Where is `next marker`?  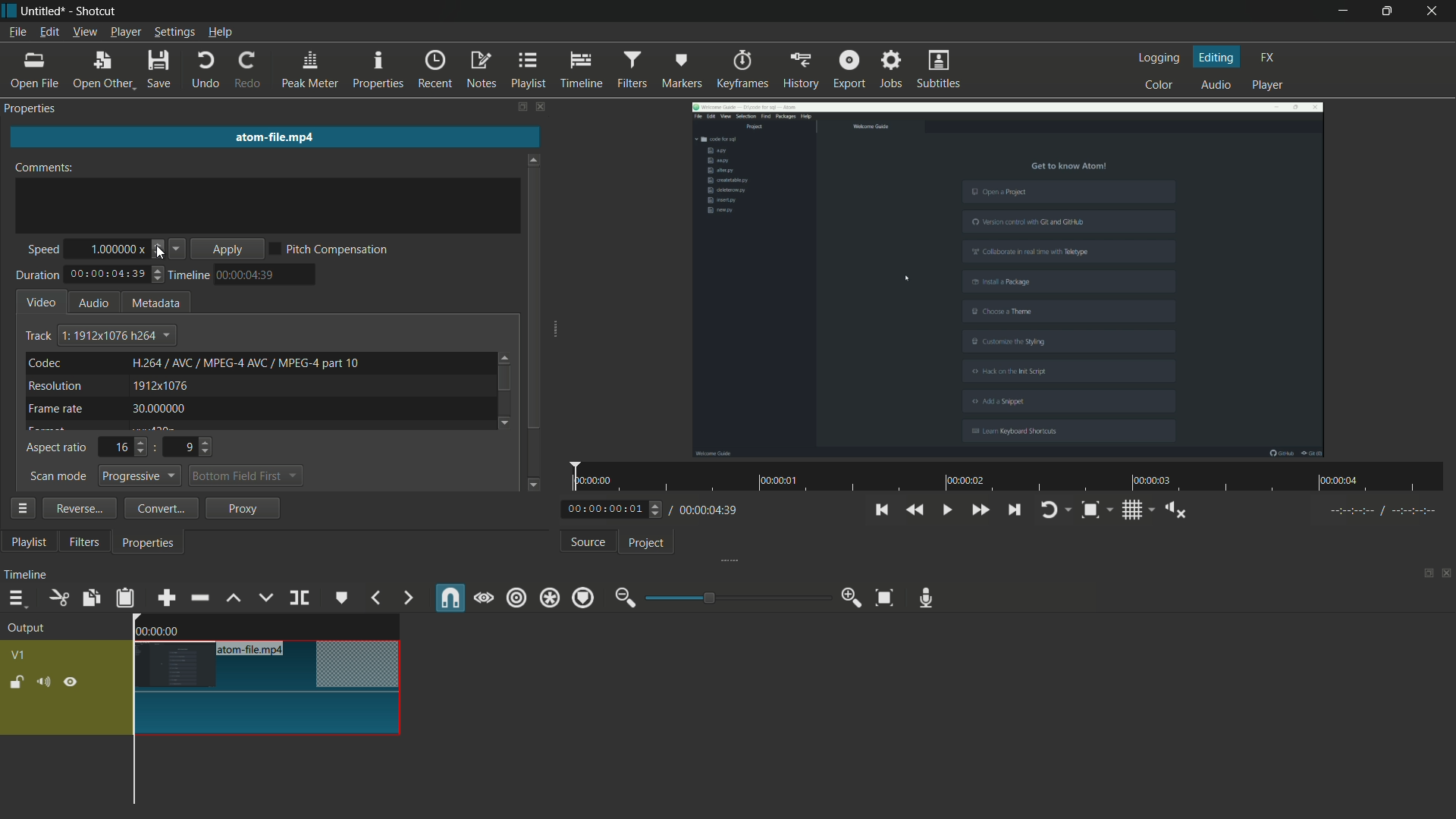
next marker is located at coordinates (409, 598).